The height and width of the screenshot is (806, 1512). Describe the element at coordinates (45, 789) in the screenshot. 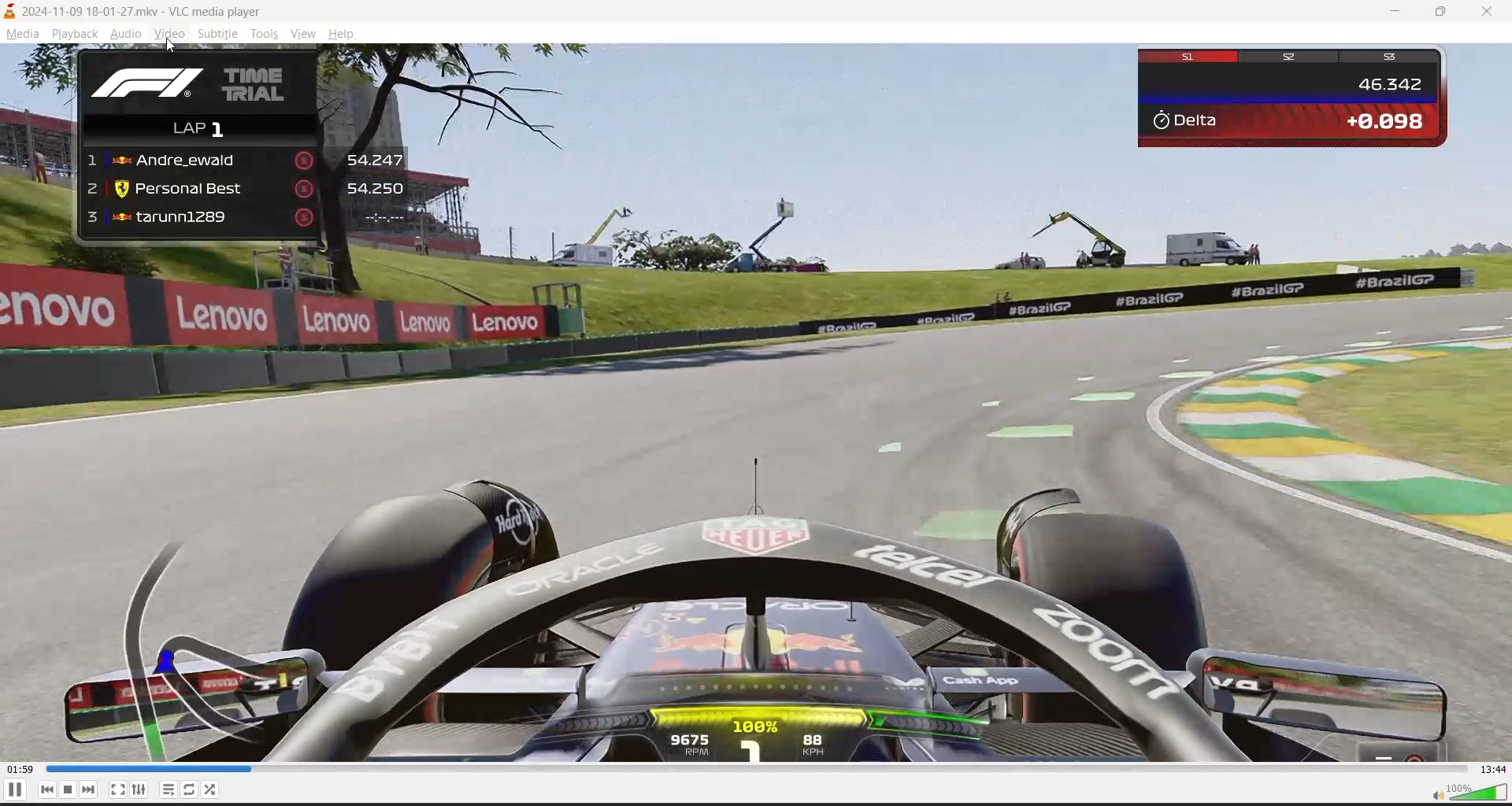

I see `previous` at that location.